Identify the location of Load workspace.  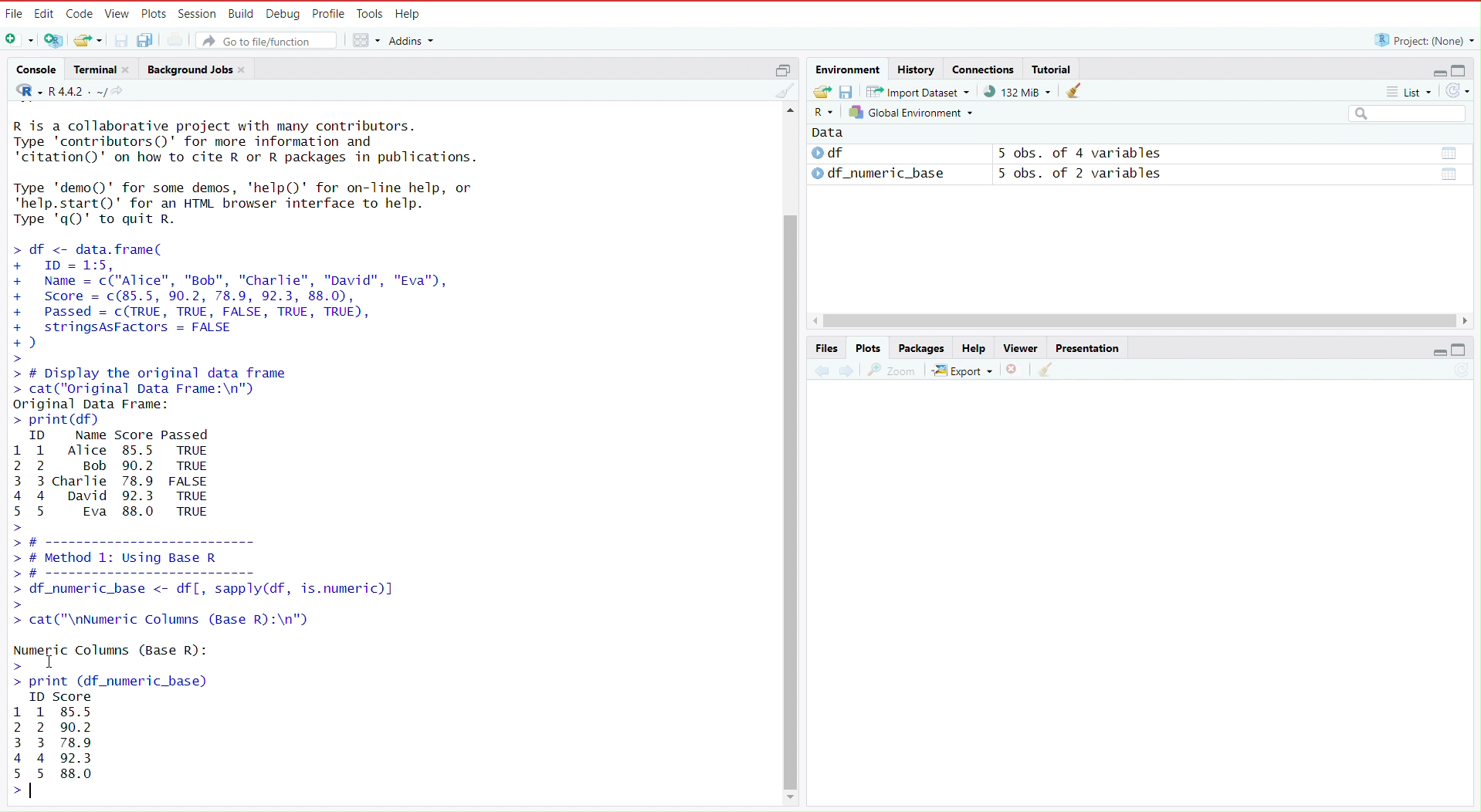
(819, 92).